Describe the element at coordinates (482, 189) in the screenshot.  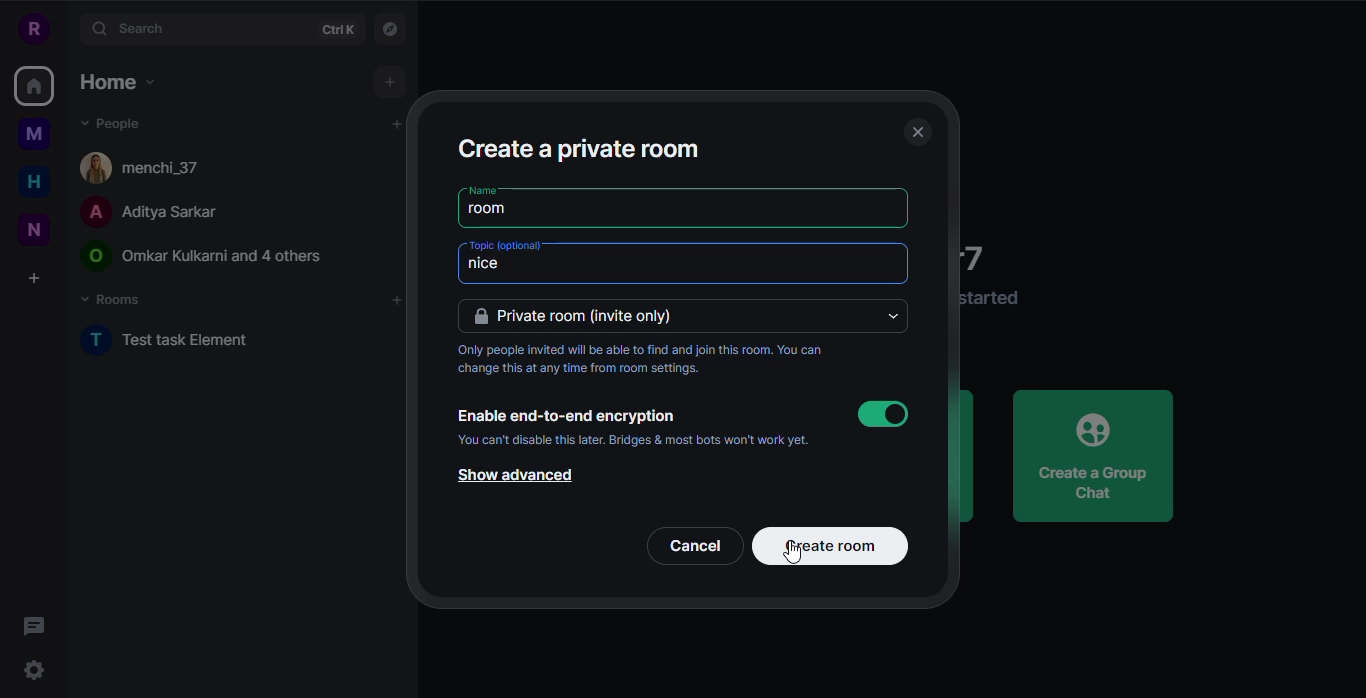
I see `name` at that location.